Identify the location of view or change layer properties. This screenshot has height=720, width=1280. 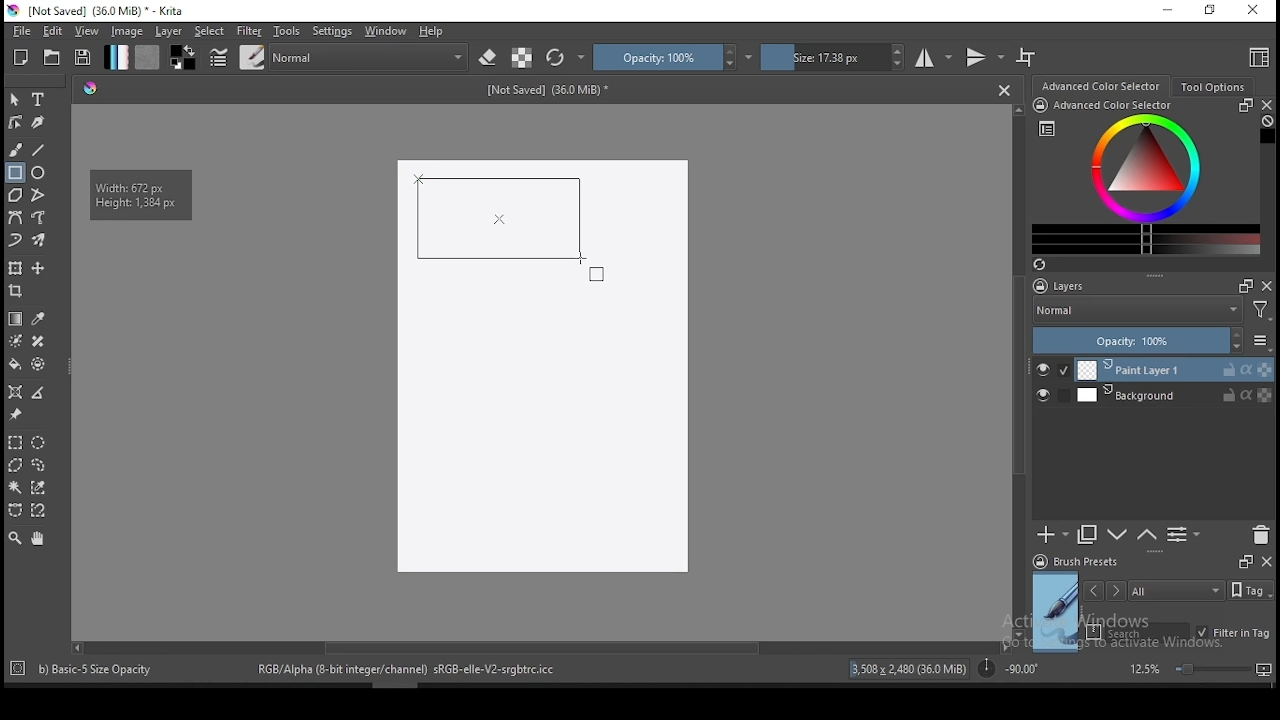
(1183, 534).